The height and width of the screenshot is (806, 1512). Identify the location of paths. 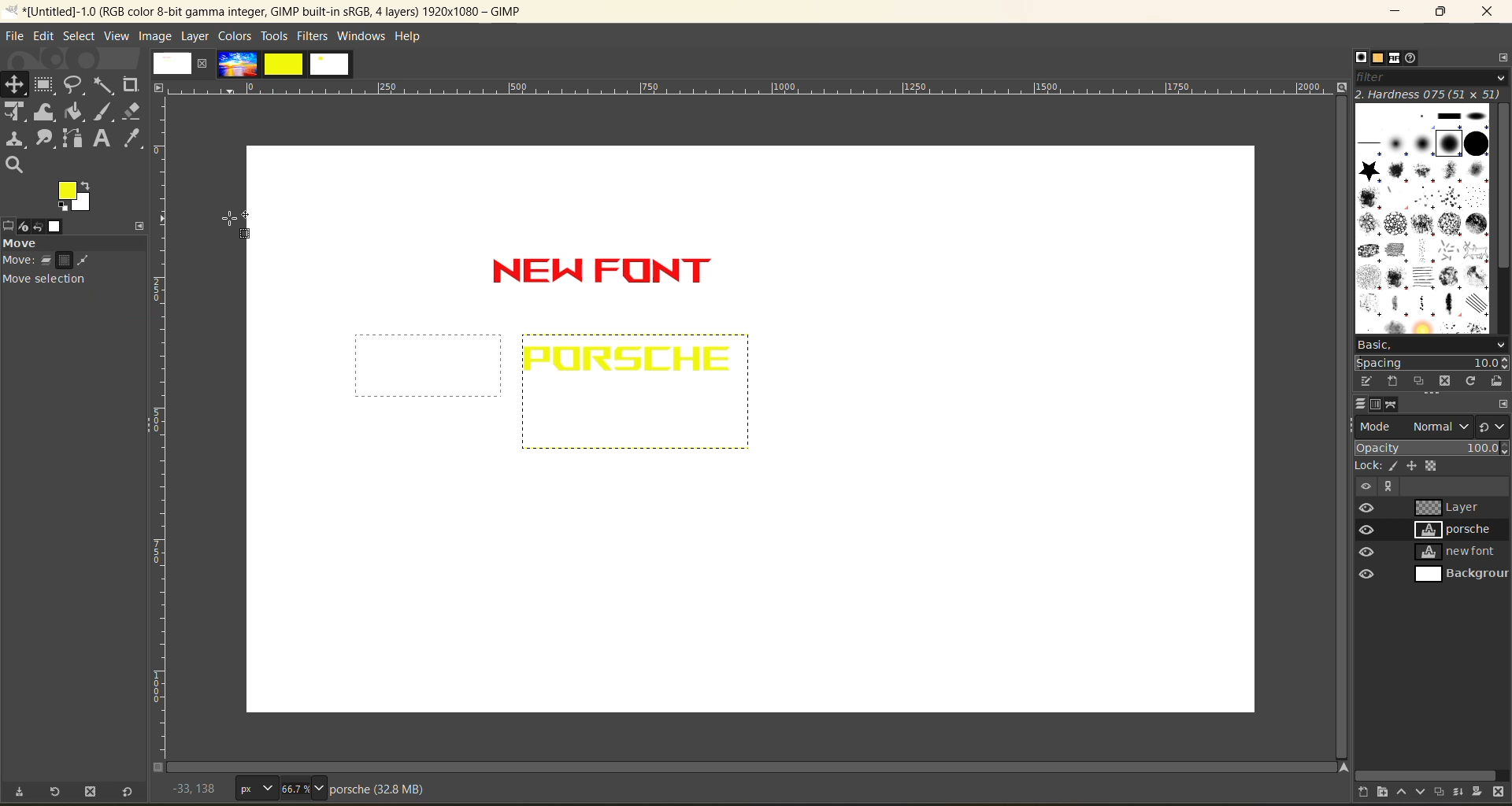
(1399, 405).